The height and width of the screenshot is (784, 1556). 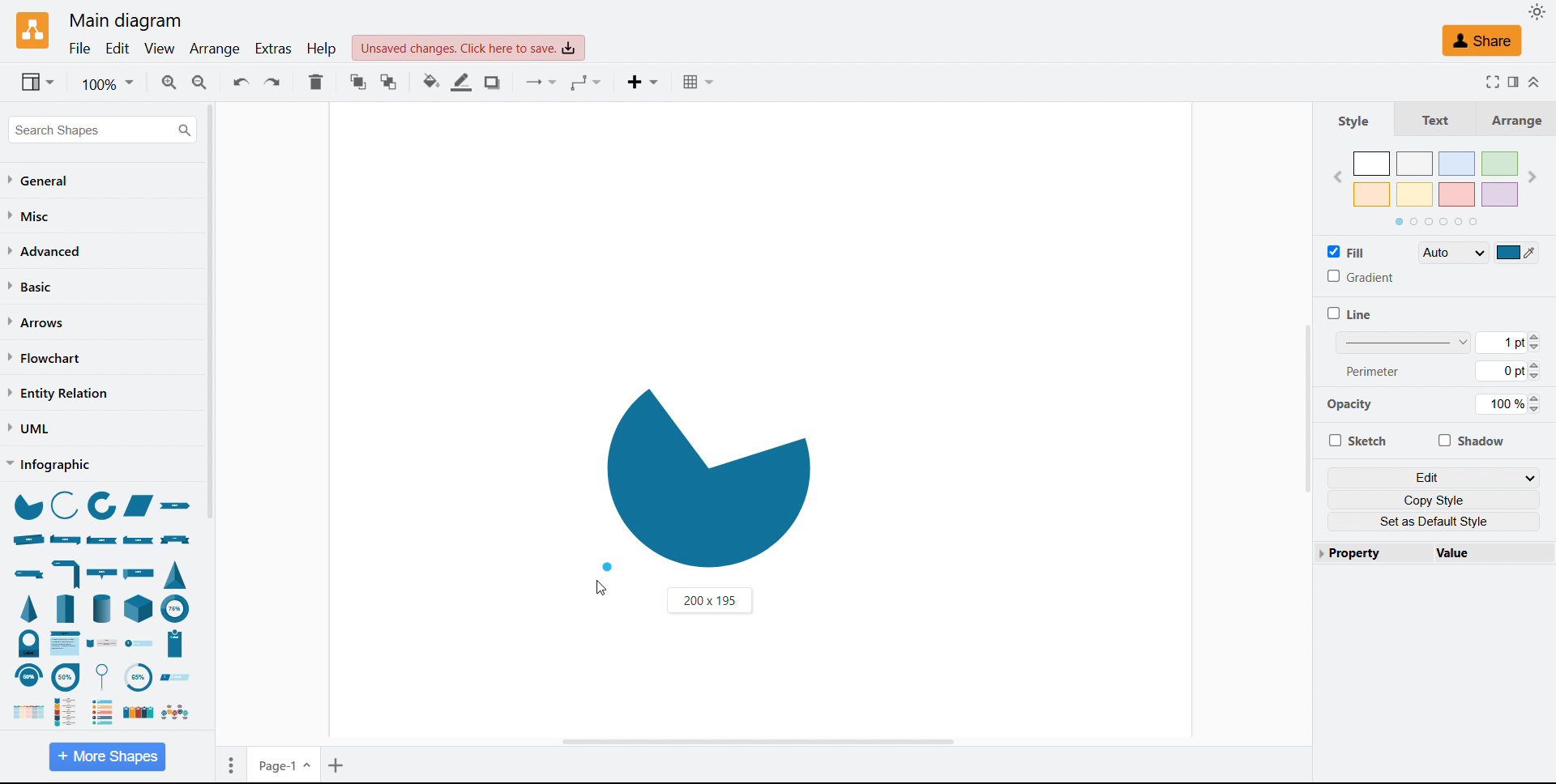 What do you see at coordinates (359, 82) in the screenshot?
I see `To front ` at bounding box center [359, 82].